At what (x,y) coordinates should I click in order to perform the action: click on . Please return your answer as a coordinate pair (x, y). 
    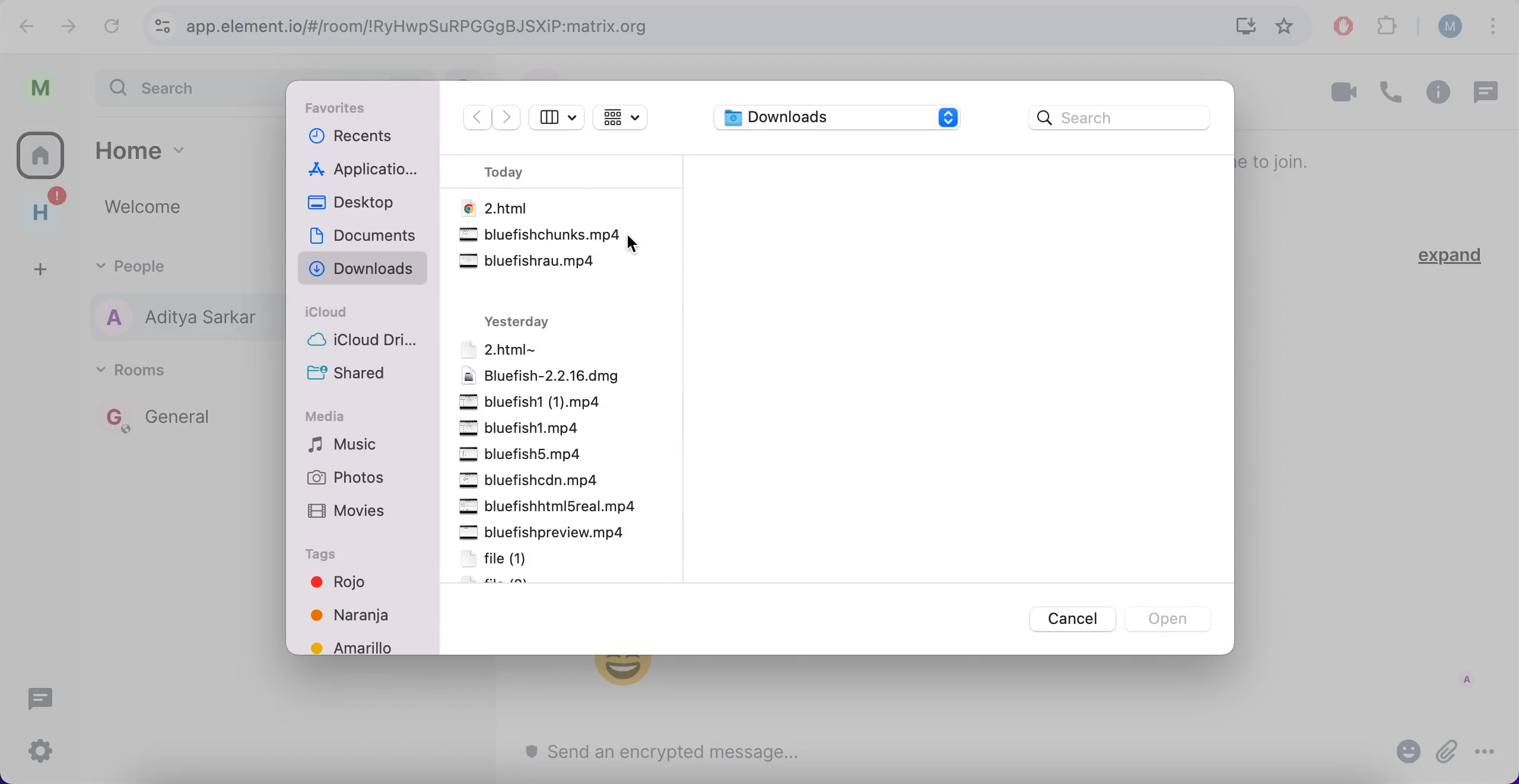
    Looking at the image, I should click on (557, 117).